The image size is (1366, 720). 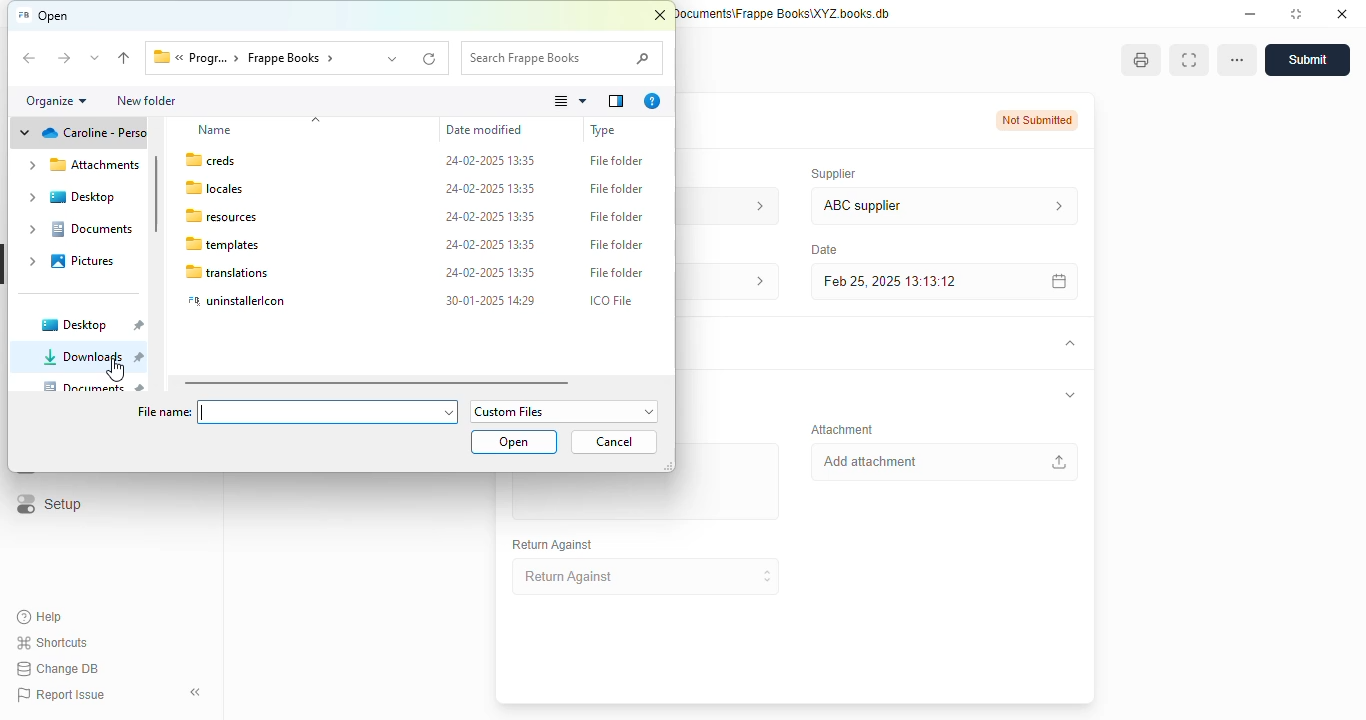 I want to click on caroline - personal, so click(x=80, y=135).